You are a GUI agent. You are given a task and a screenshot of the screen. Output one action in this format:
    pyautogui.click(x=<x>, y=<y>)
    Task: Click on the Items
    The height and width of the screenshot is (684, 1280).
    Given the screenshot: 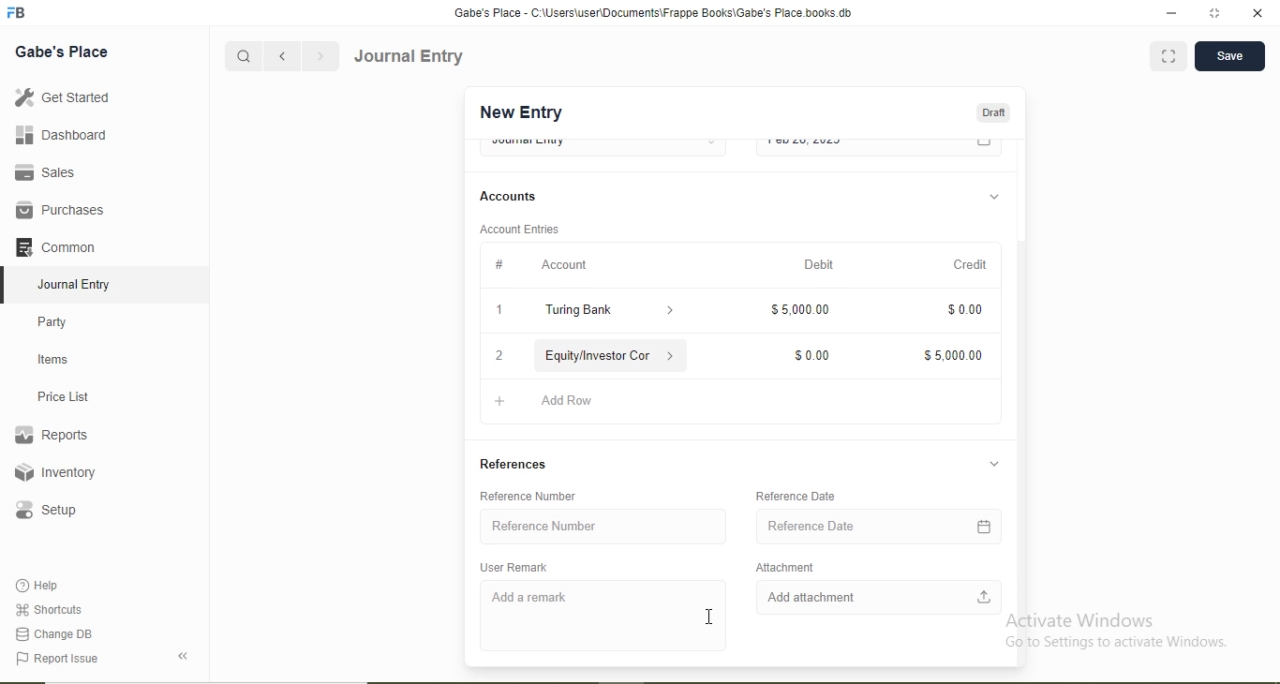 What is the action you would take?
    pyautogui.click(x=53, y=359)
    